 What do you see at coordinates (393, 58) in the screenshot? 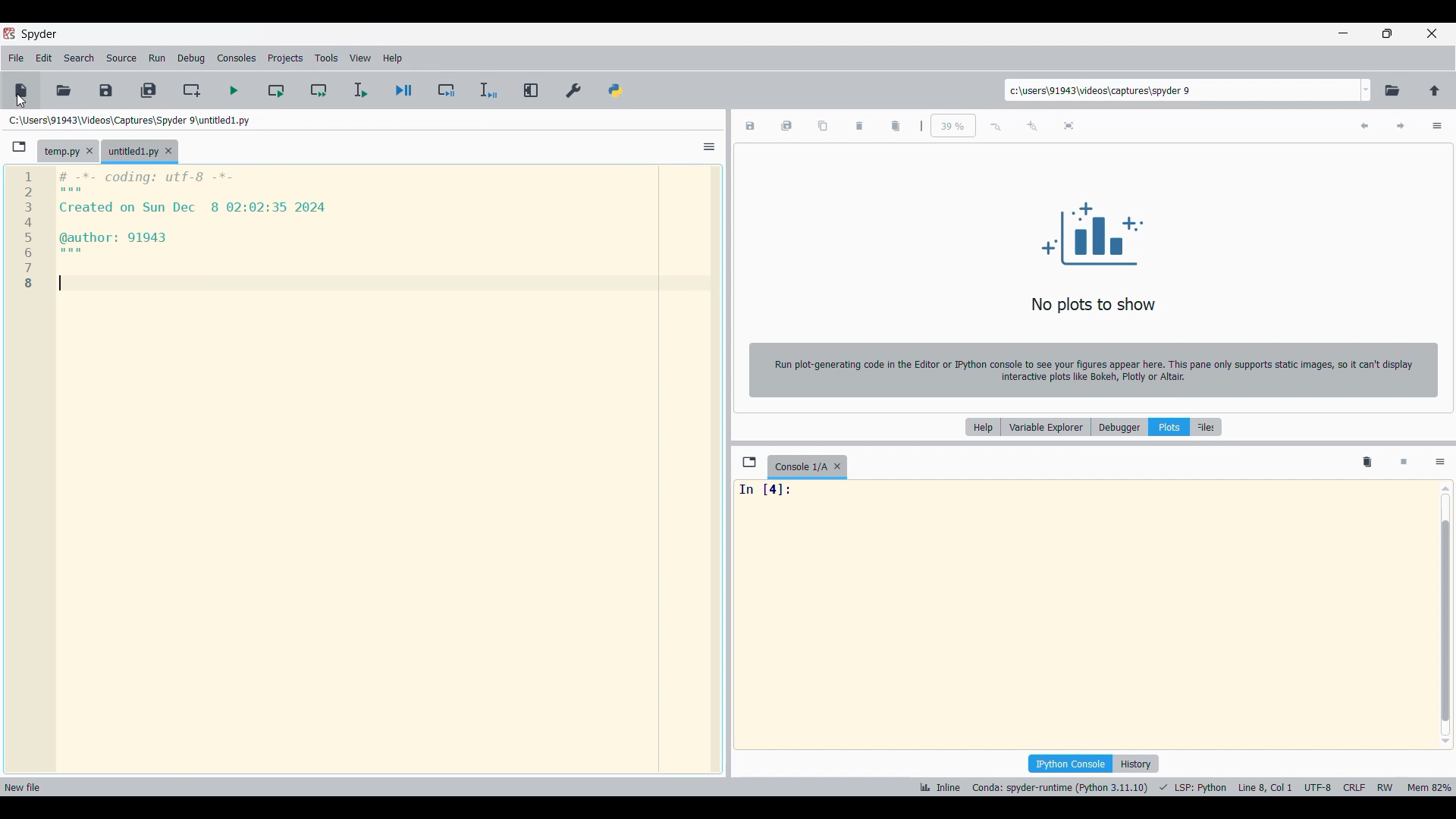
I see `Help menu` at bounding box center [393, 58].